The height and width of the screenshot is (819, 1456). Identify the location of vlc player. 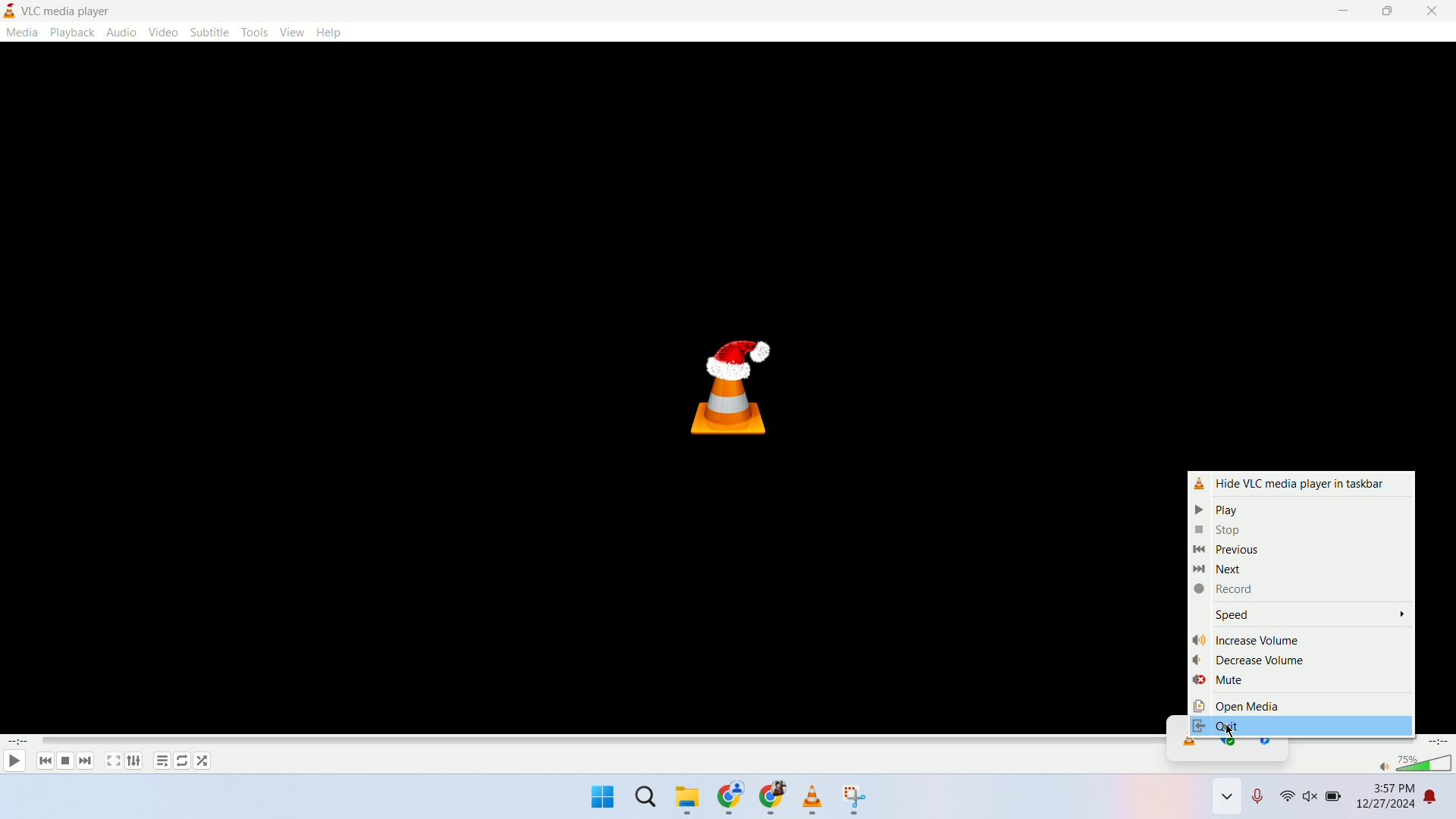
(814, 799).